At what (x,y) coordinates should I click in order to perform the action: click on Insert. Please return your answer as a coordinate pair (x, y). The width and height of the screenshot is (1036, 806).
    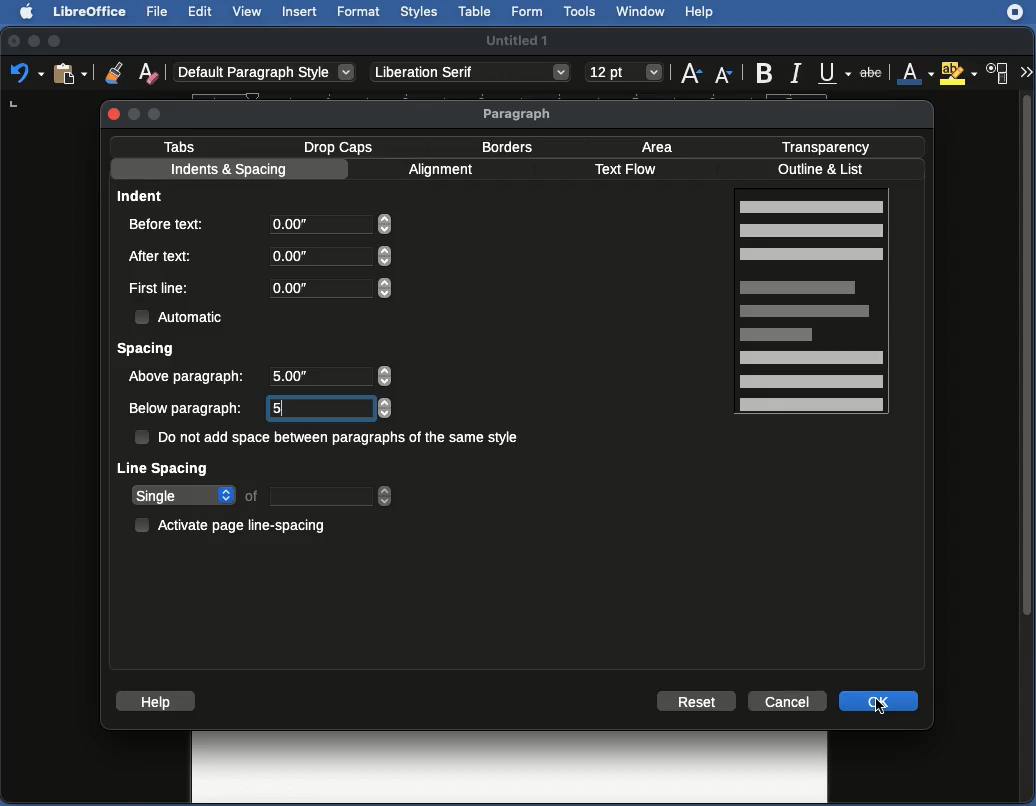
    Looking at the image, I should click on (299, 11).